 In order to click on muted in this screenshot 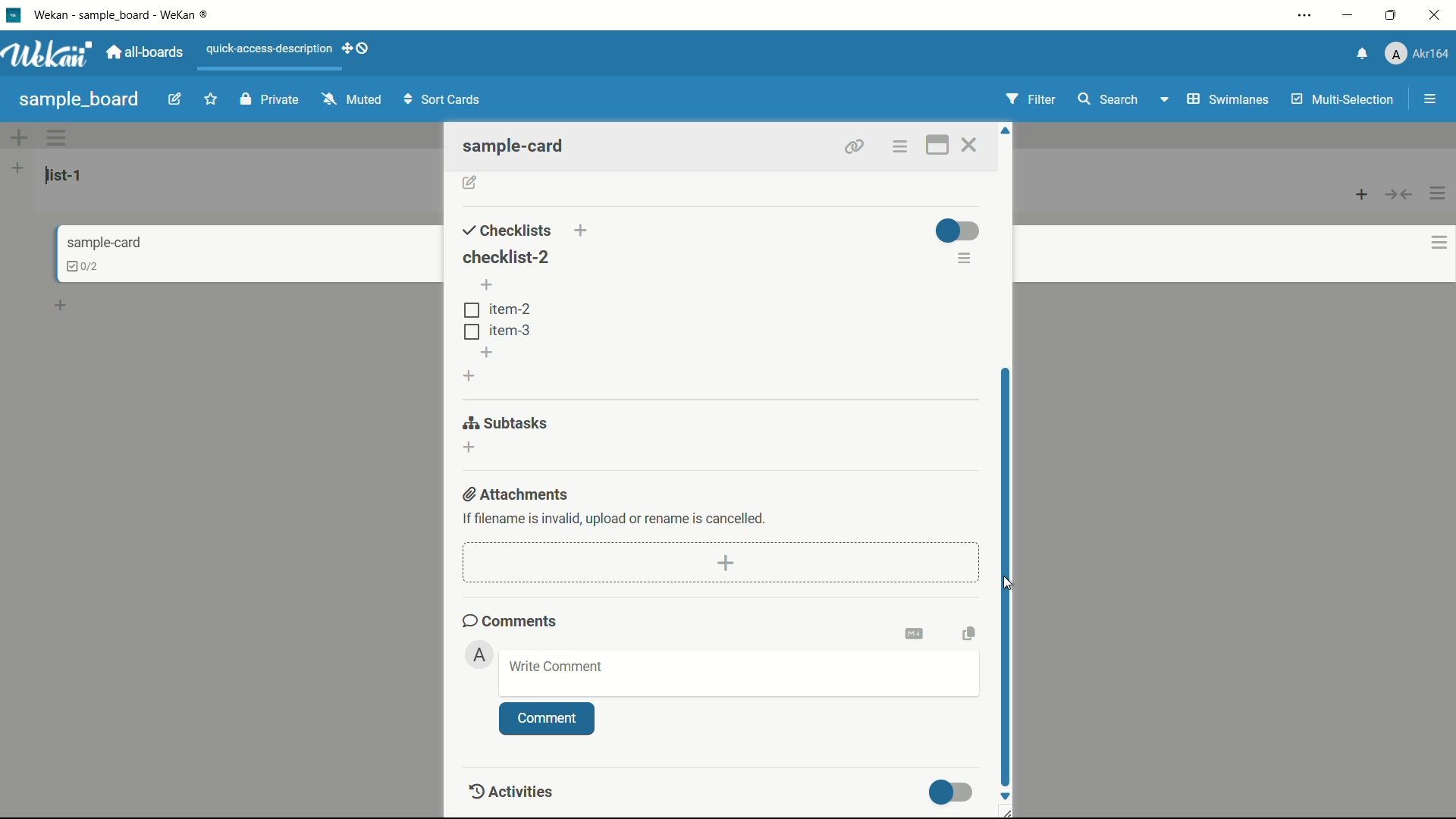, I will do `click(350, 100)`.